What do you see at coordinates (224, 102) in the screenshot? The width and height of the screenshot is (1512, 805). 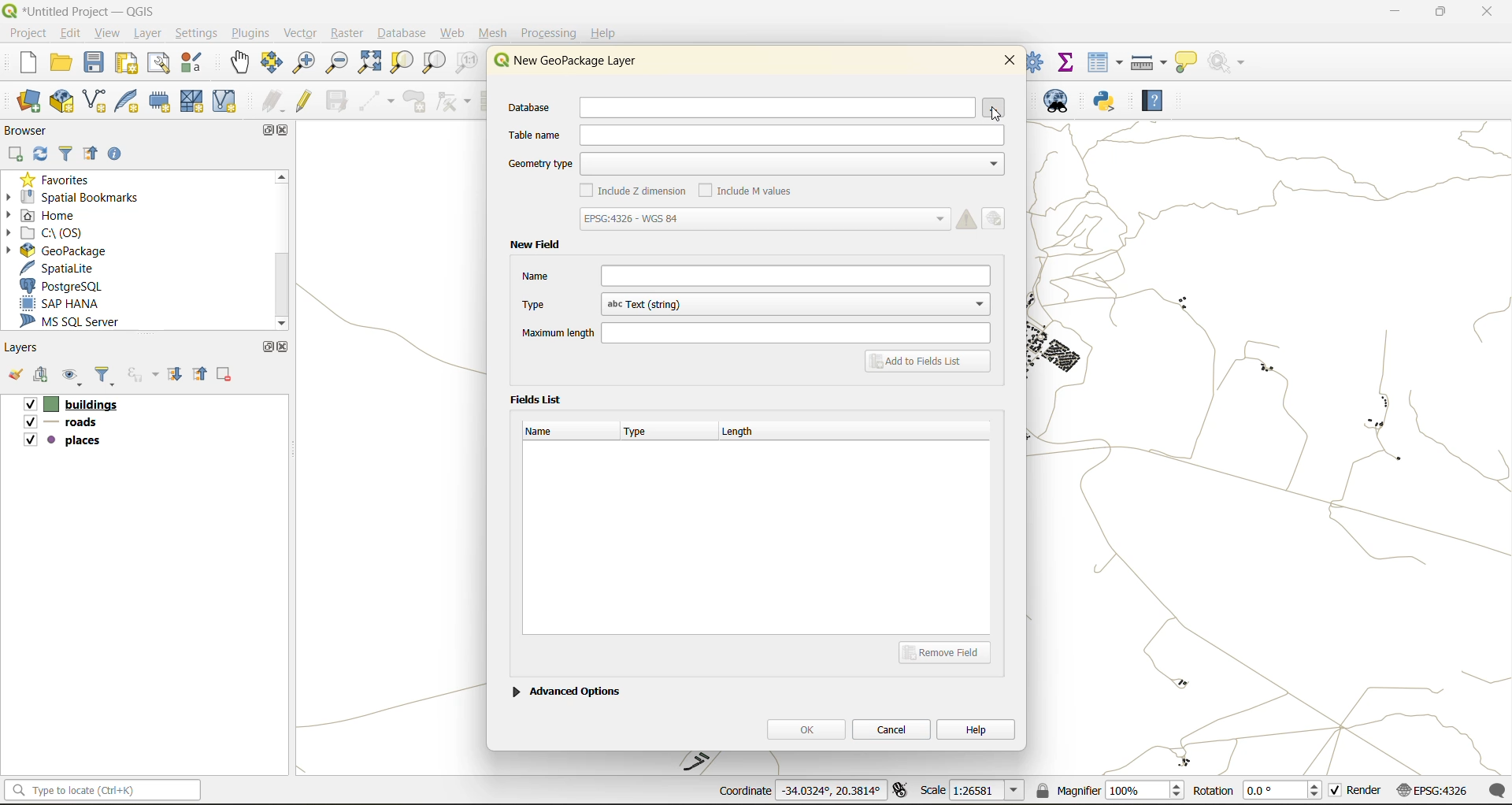 I see `new virtual layer` at bounding box center [224, 102].